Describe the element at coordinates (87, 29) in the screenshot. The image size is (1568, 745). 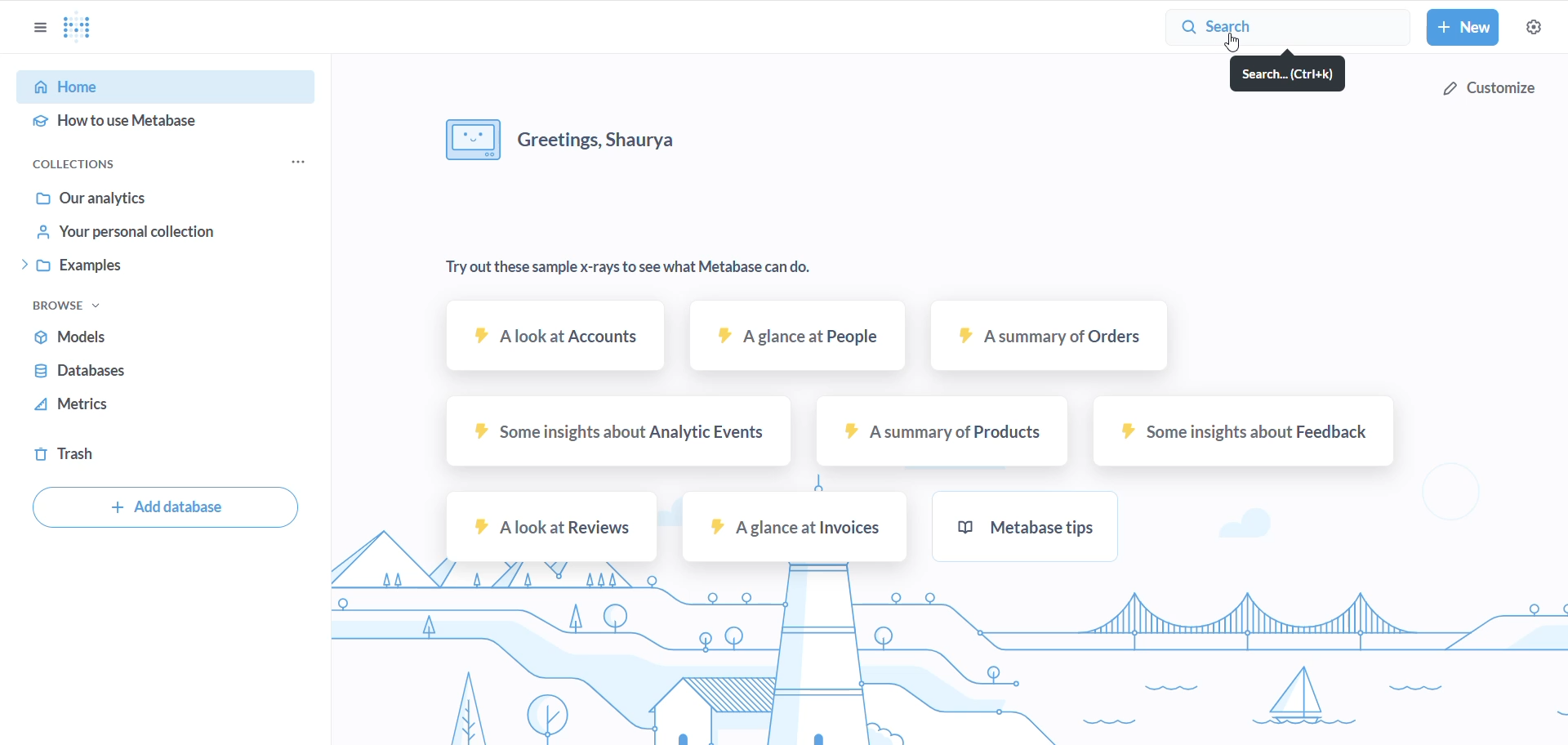
I see `LOGO` at that location.